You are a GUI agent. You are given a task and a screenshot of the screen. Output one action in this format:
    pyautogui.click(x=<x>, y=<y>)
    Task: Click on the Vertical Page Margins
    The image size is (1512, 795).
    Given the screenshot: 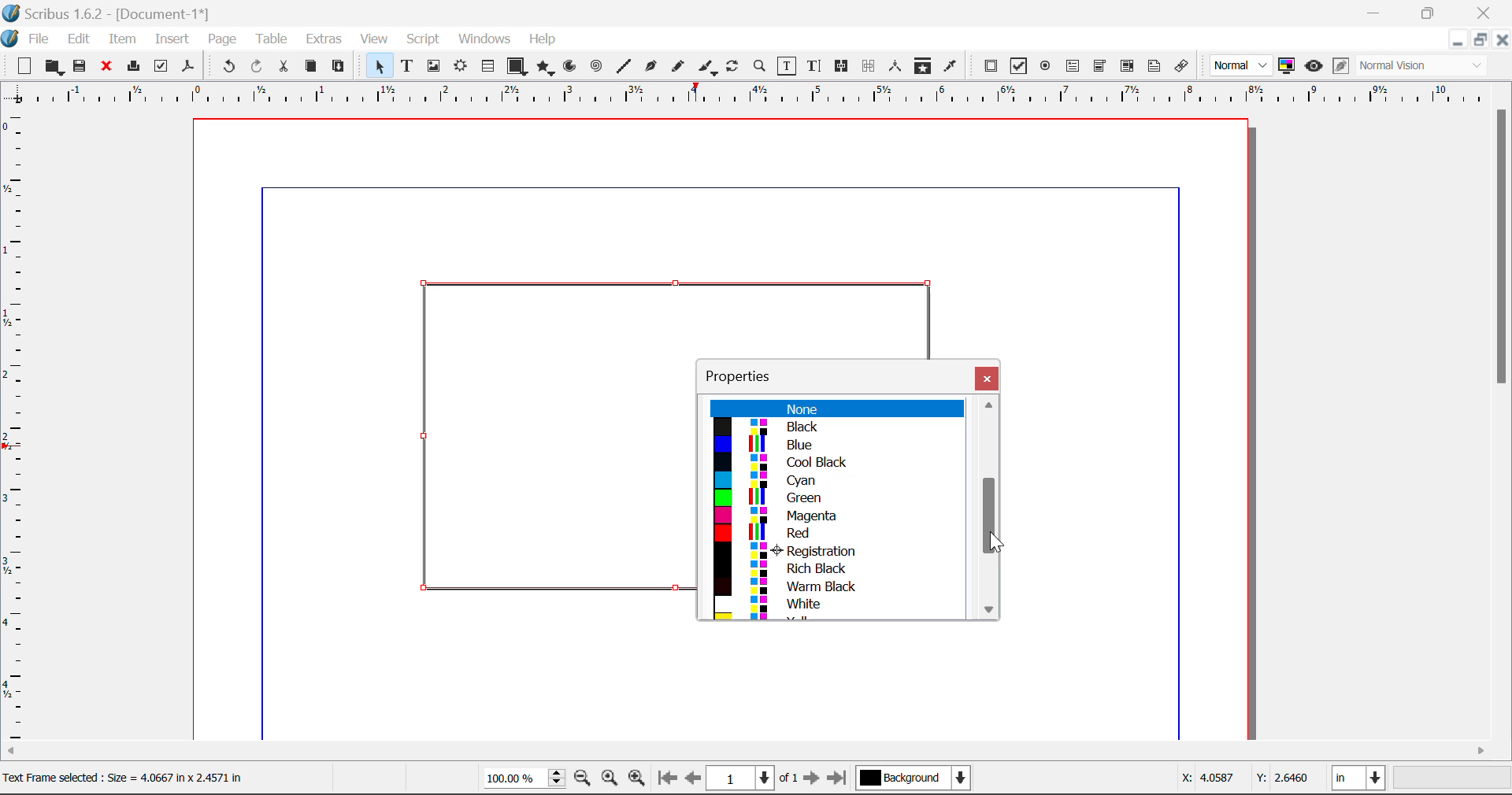 What is the action you would take?
    pyautogui.click(x=764, y=94)
    